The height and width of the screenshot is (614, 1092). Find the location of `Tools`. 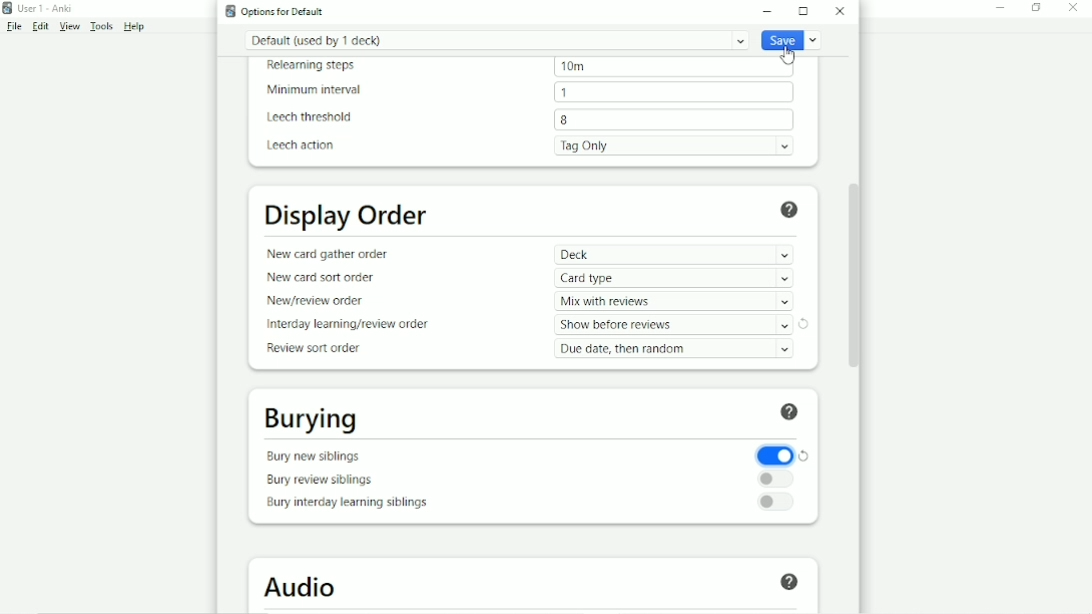

Tools is located at coordinates (103, 27).